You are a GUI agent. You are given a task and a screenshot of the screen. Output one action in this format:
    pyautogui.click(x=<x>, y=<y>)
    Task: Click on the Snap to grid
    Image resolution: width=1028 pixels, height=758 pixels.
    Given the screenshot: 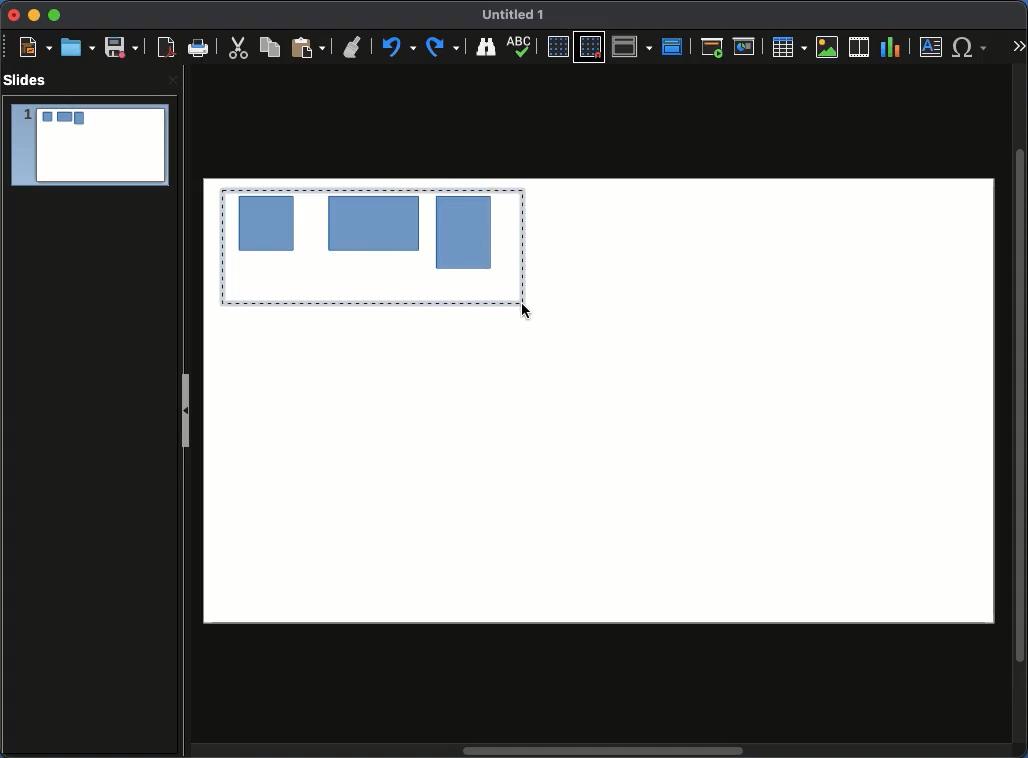 What is the action you would take?
    pyautogui.click(x=590, y=48)
    